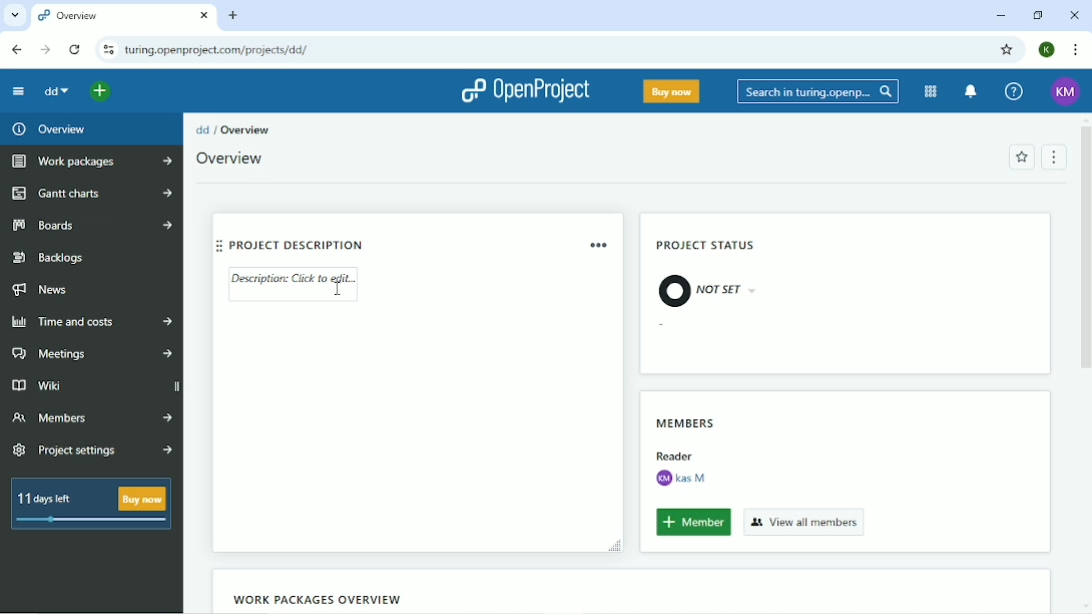 This screenshot has width=1092, height=614. Describe the element at coordinates (693, 523) in the screenshot. I see `Member` at that location.